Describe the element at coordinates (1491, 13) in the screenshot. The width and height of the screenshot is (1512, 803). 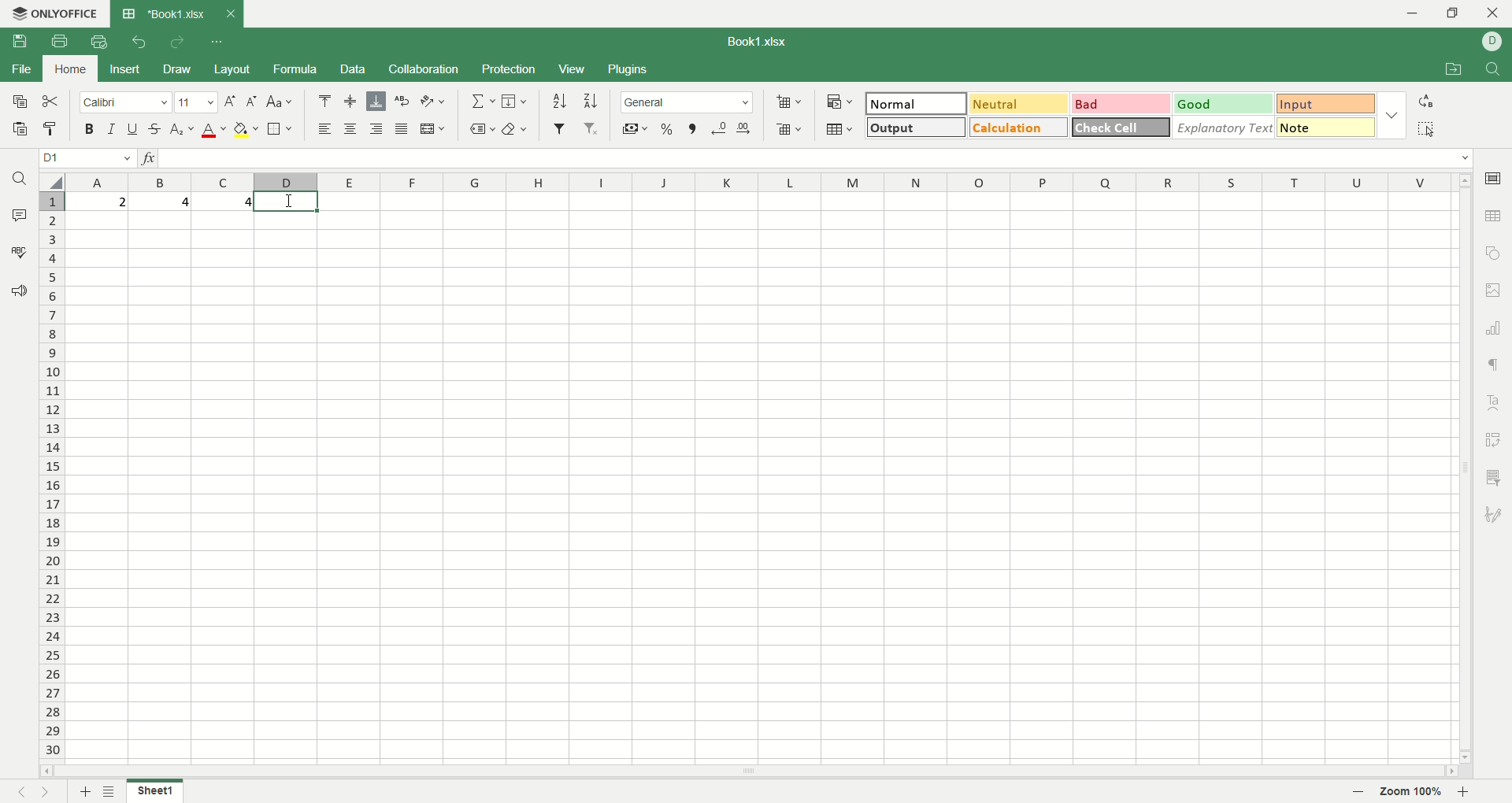
I see `close` at that location.